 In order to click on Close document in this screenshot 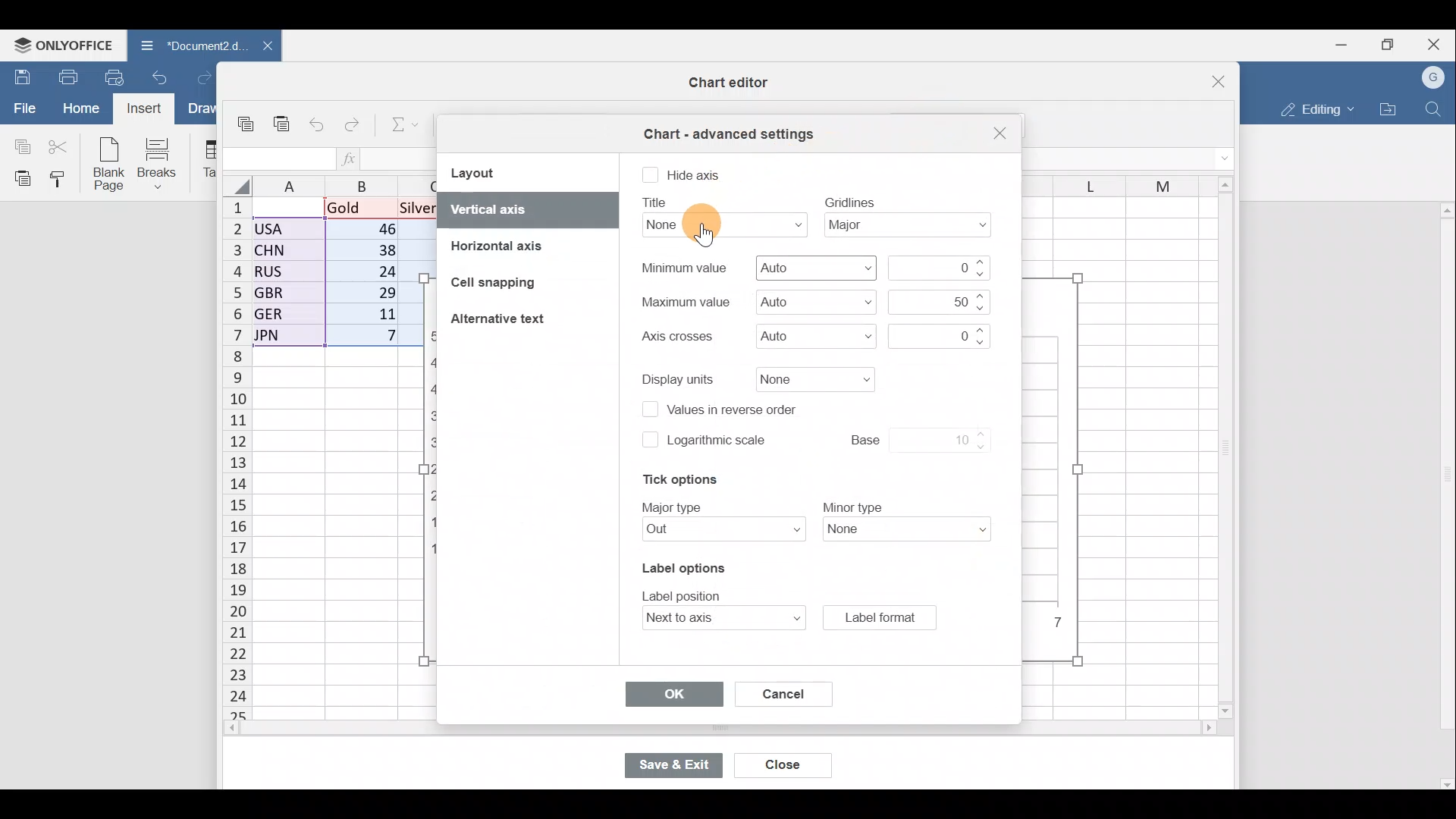, I will do `click(259, 47)`.